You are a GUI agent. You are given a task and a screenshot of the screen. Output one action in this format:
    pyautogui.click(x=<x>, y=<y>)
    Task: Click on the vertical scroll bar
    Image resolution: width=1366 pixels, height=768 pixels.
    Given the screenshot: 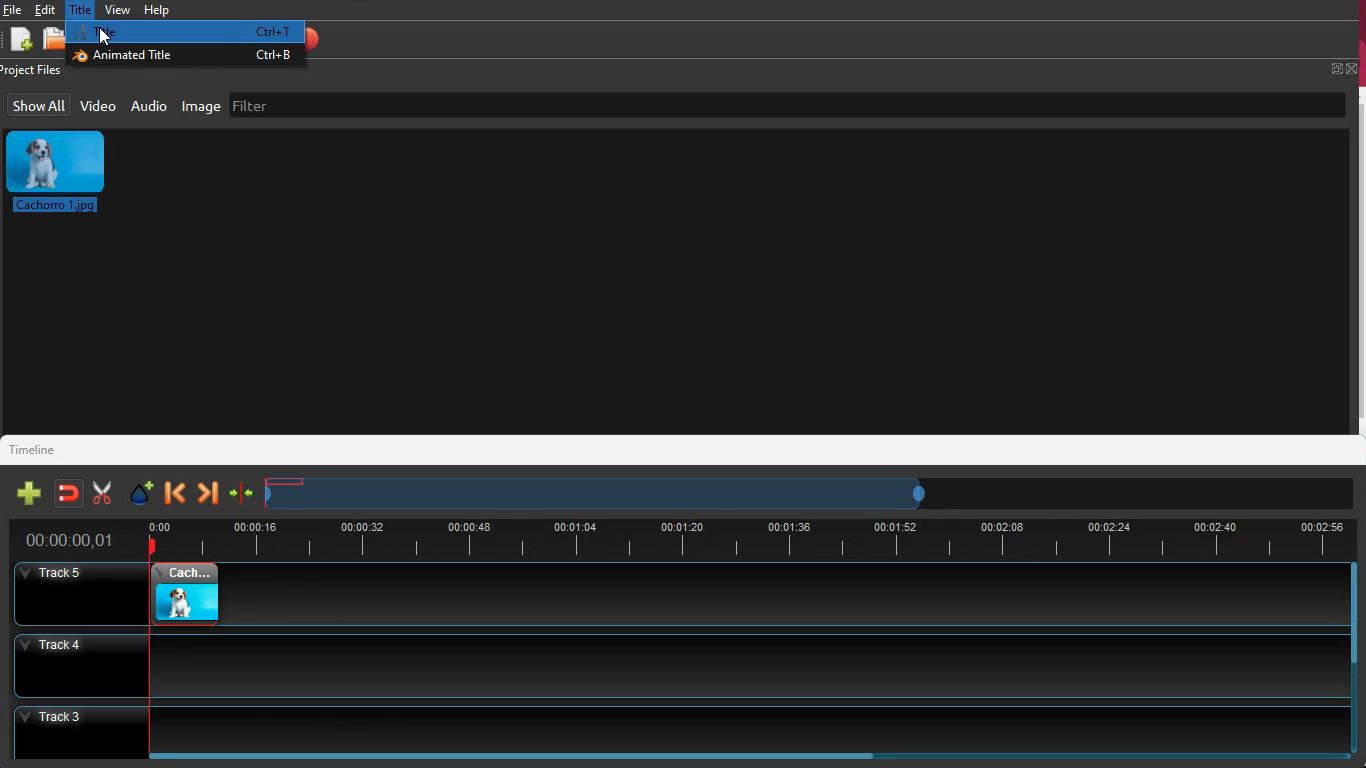 What is the action you would take?
    pyautogui.click(x=1357, y=260)
    